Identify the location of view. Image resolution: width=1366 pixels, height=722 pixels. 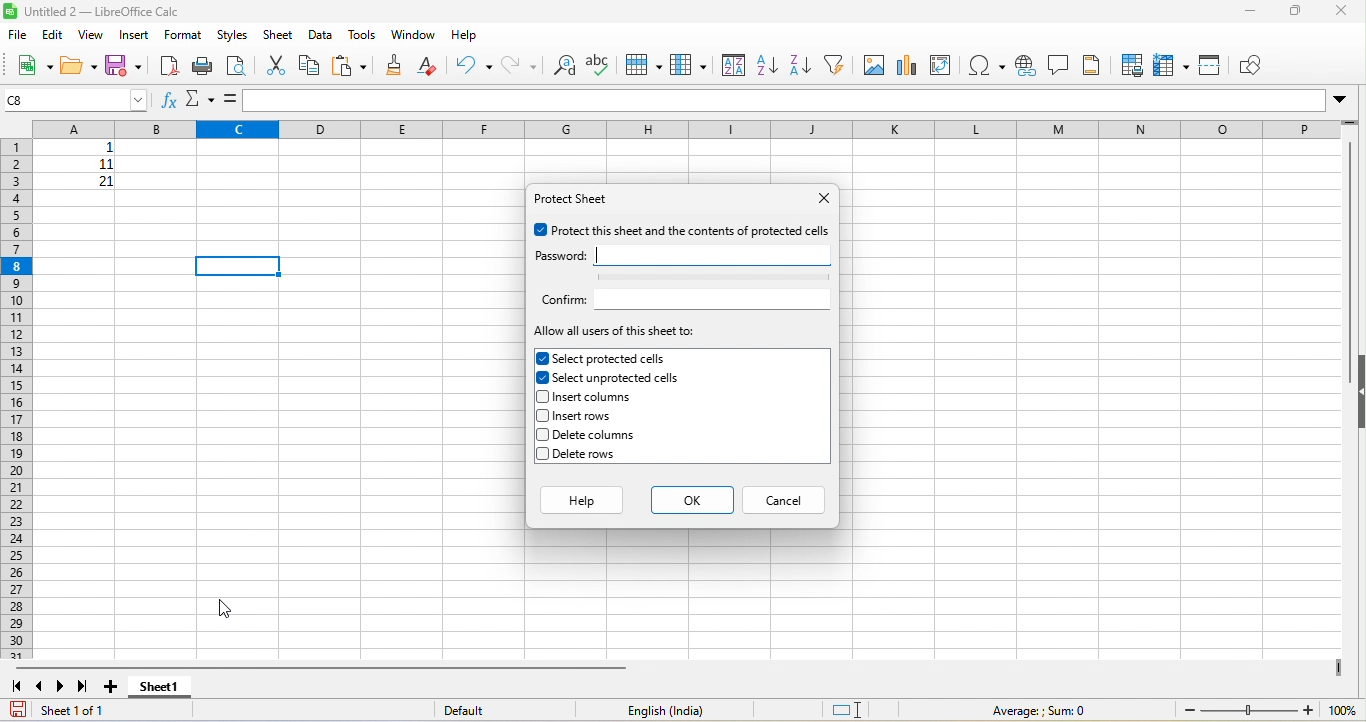
(92, 34).